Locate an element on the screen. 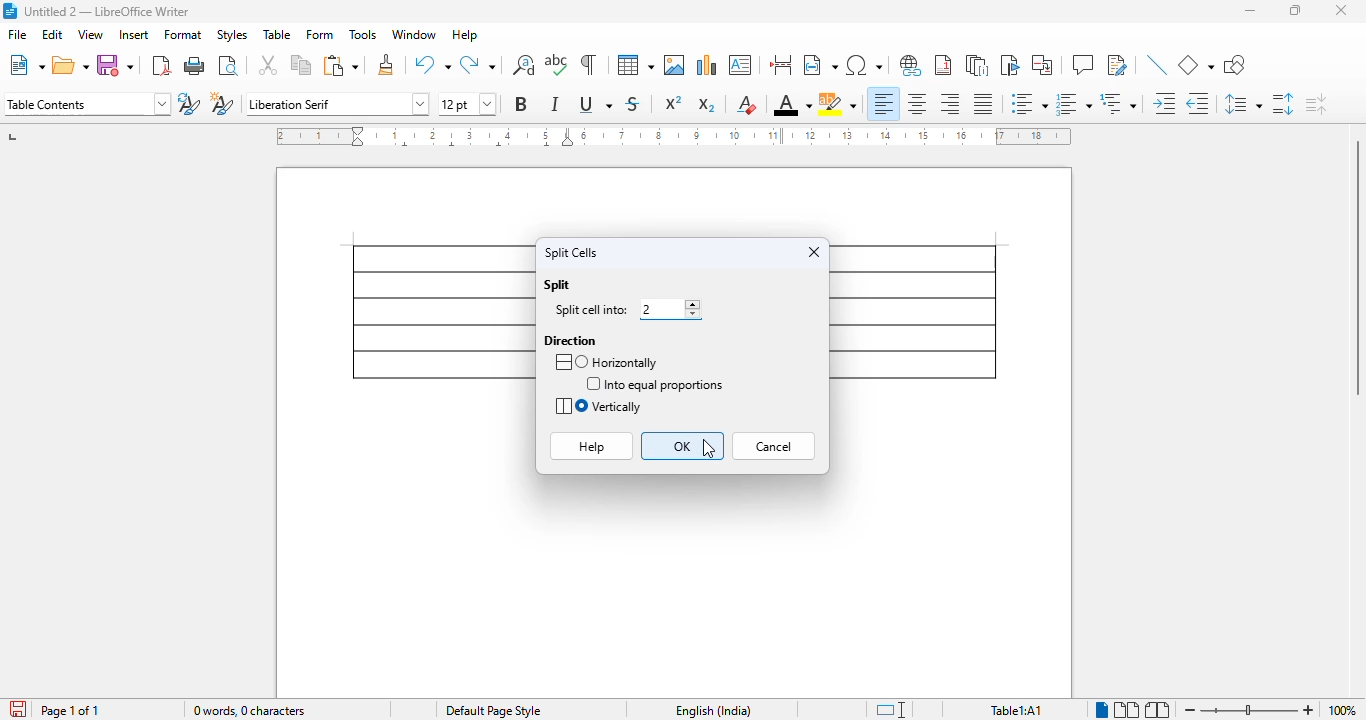  insert page break is located at coordinates (781, 65).